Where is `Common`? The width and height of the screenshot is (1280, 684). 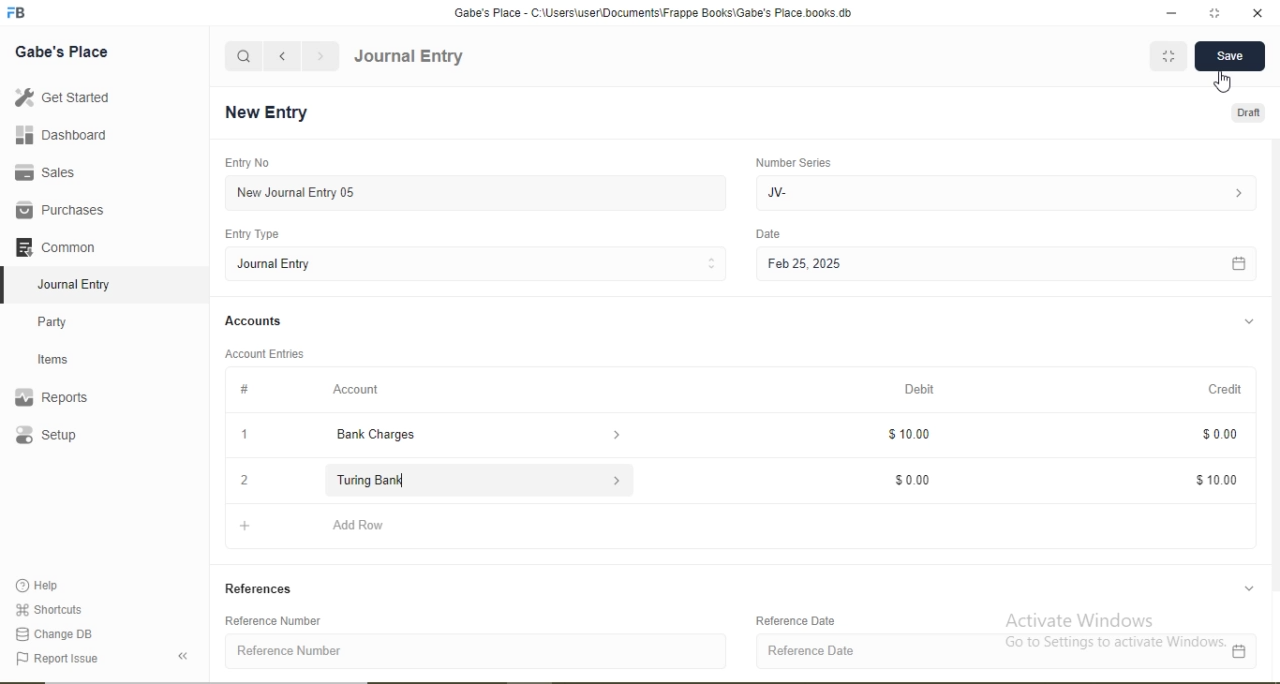
Common is located at coordinates (60, 245).